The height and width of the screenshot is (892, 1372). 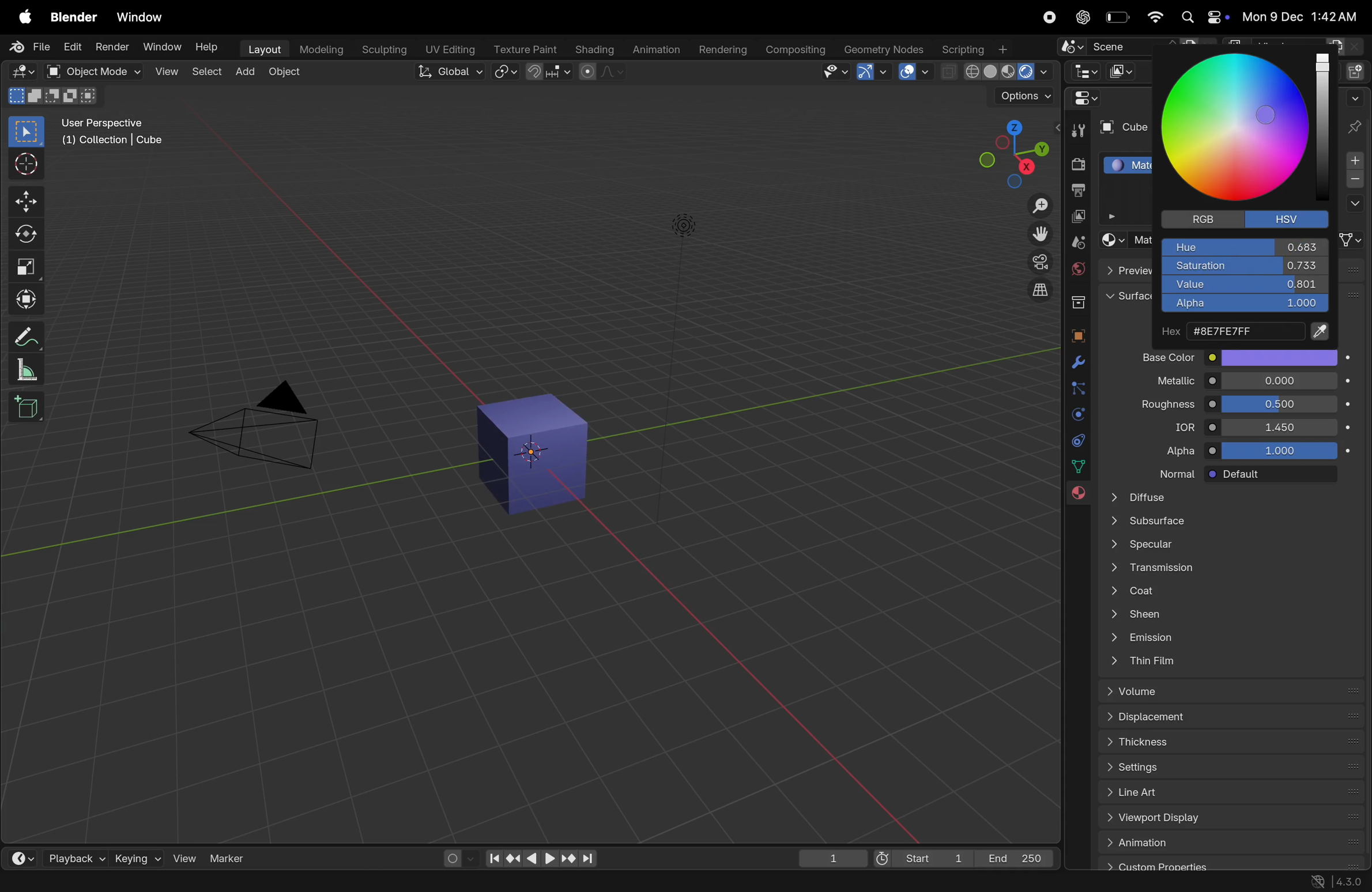 What do you see at coordinates (1280, 404) in the screenshot?
I see `0.500` at bounding box center [1280, 404].